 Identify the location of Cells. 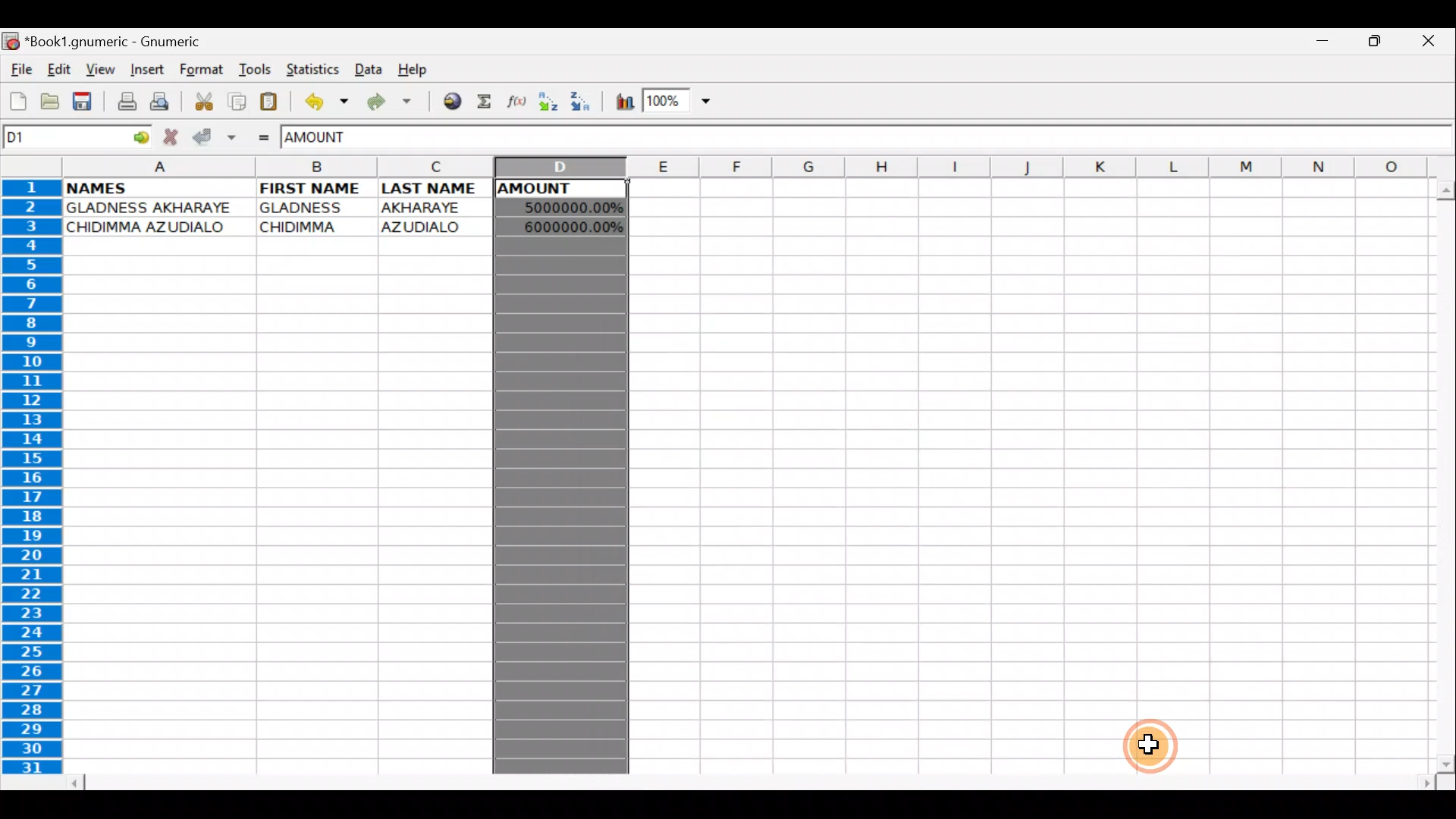
(1022, 471).